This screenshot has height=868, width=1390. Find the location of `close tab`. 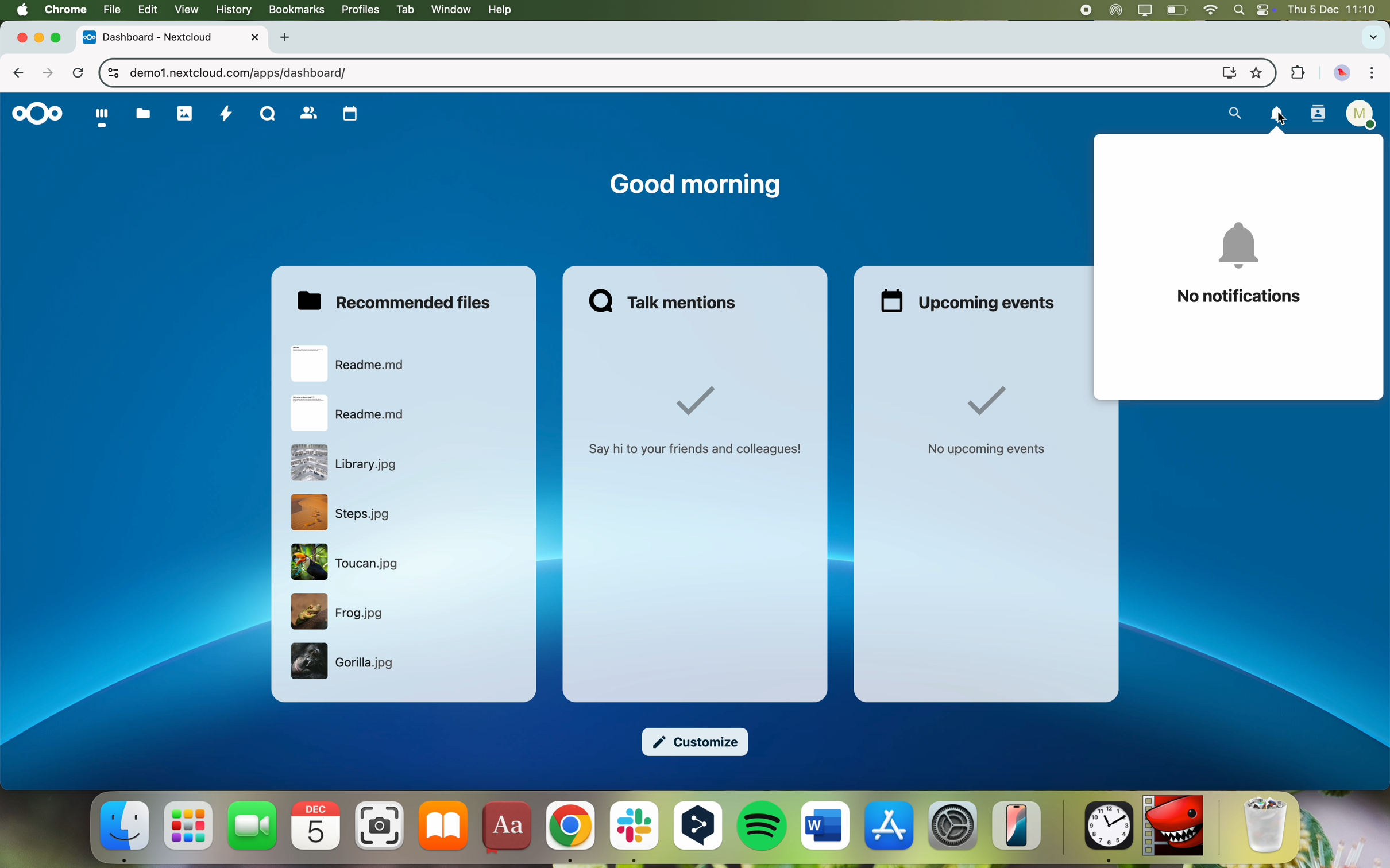

close tab is located at coordinates (16, 37).